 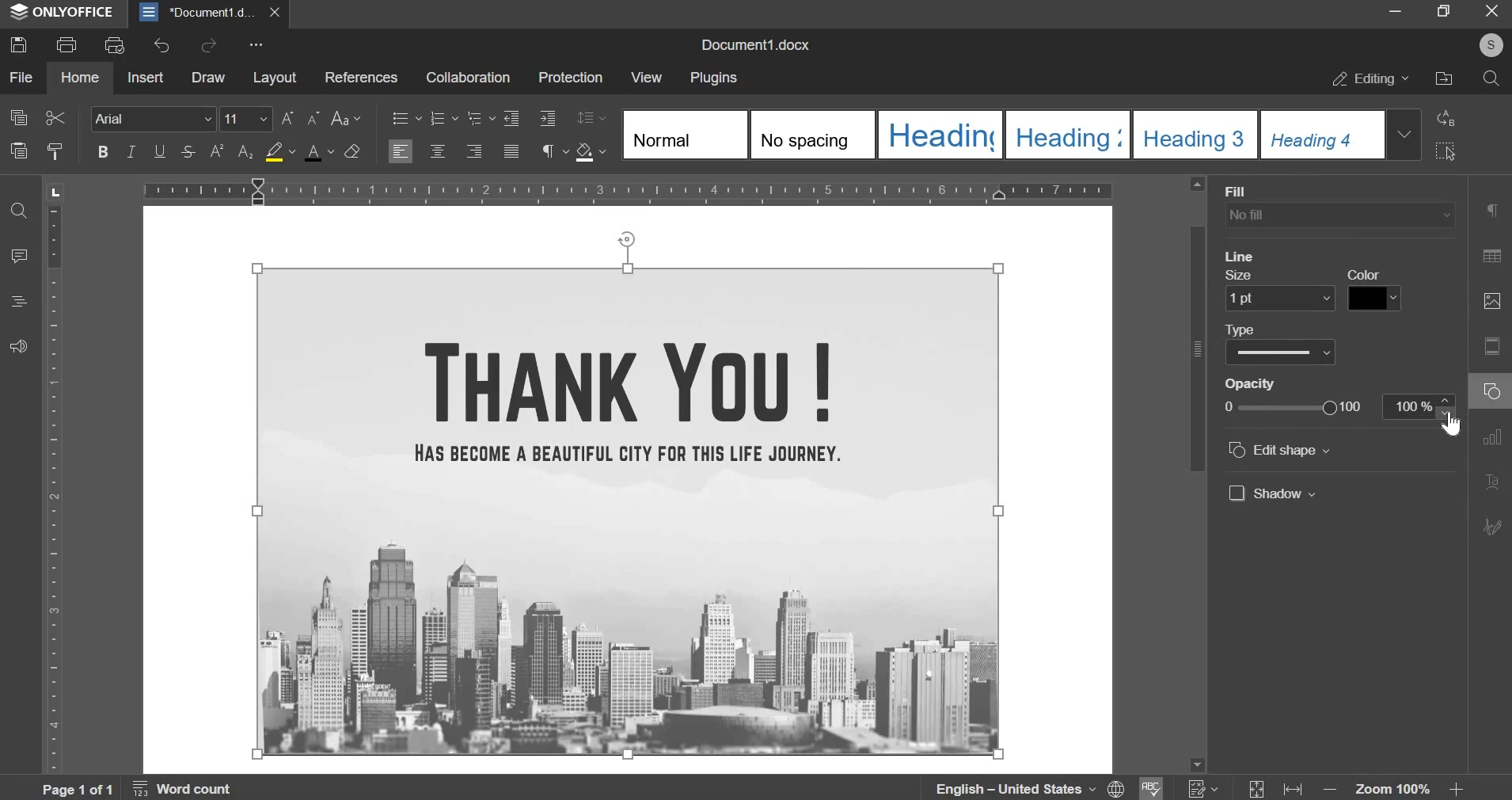 I want to click on signature, so click(x=1495, y=526).